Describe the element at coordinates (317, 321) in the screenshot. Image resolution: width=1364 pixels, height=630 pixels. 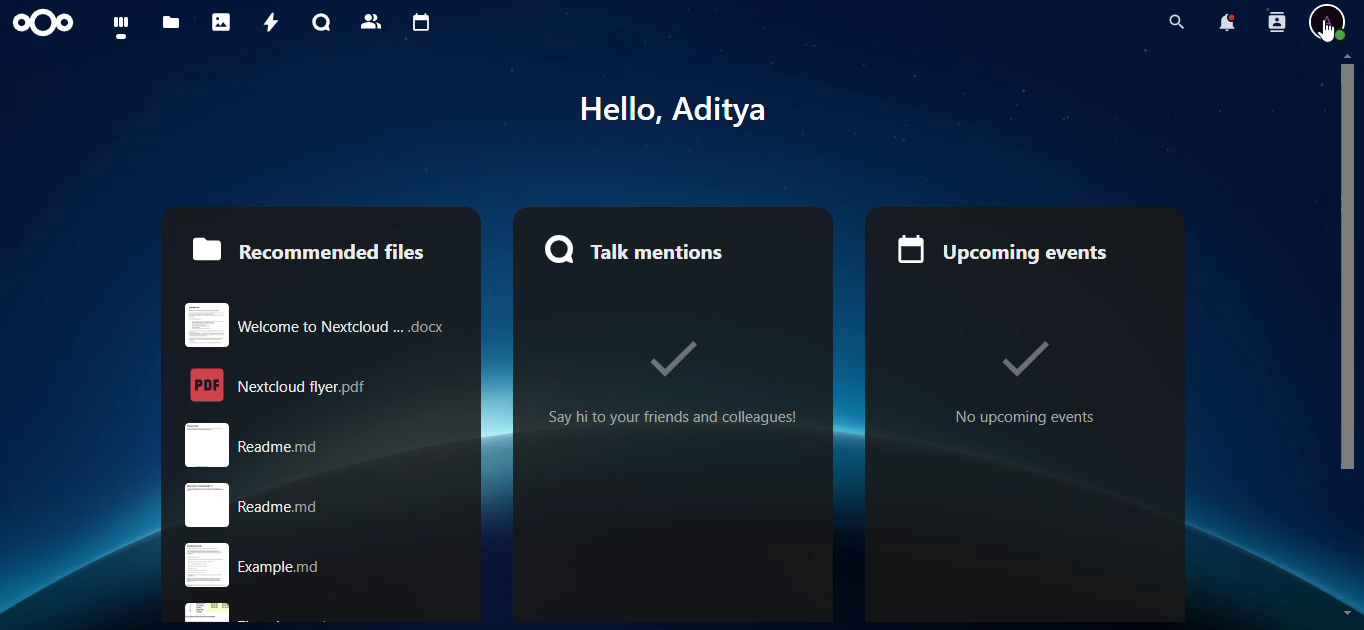
I see `Welcome to next cloud...docx` at that location.